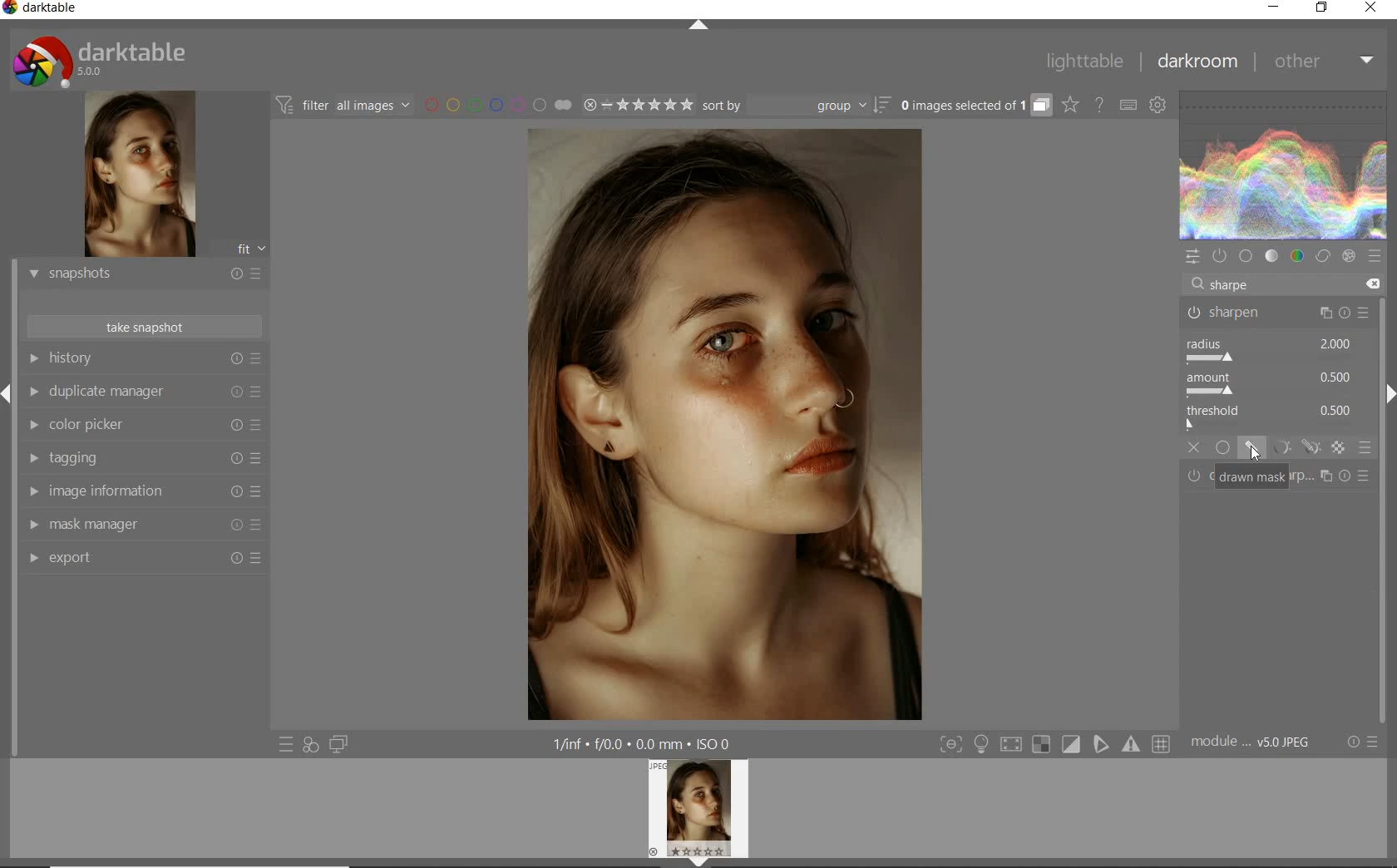 This screenshot has width=1397, height=868. Describe the element at coordinates (101, 61) in the screenshot. I see `system logo` at that location.